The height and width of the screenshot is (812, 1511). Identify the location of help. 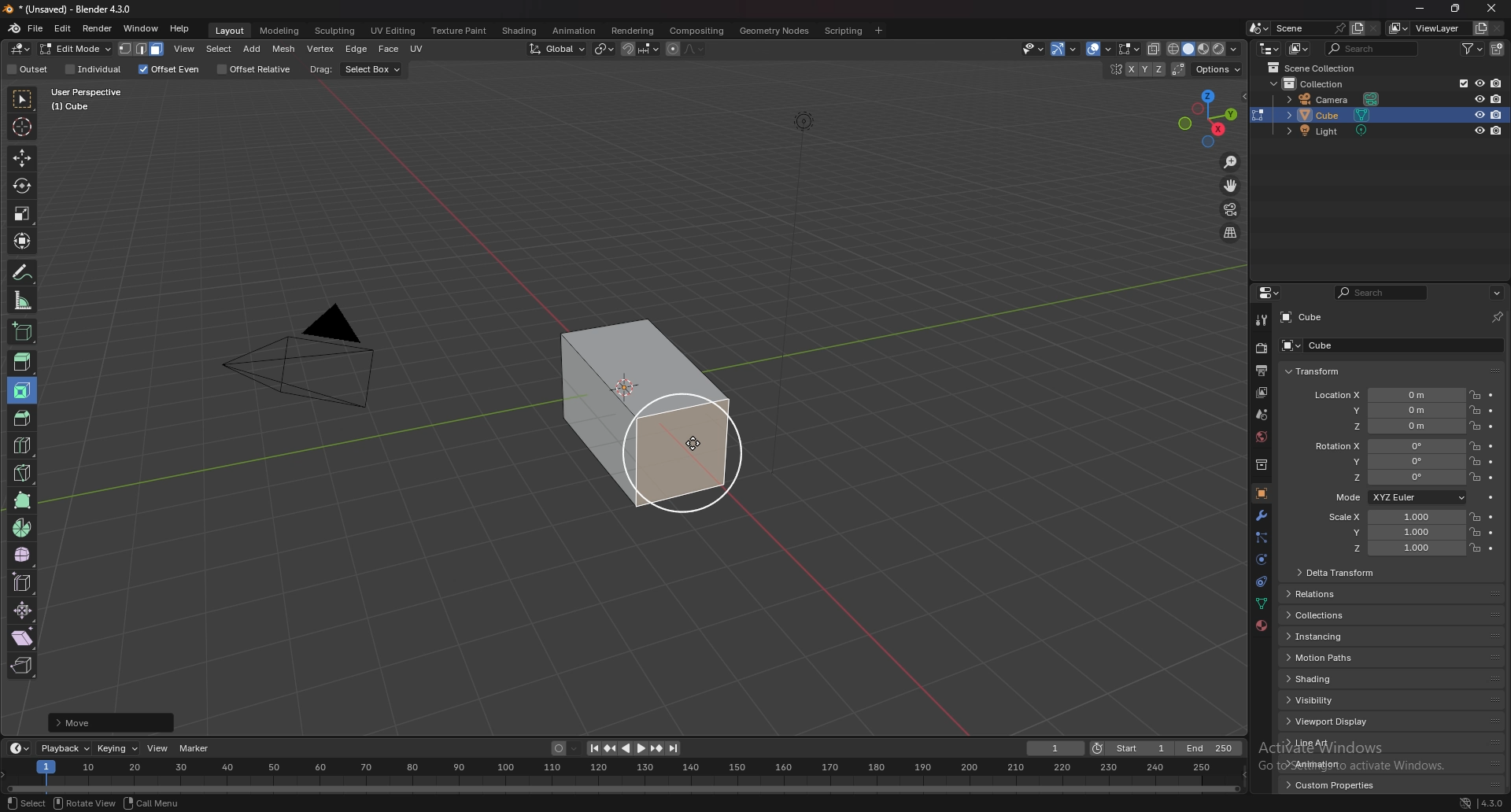
(180, 28).